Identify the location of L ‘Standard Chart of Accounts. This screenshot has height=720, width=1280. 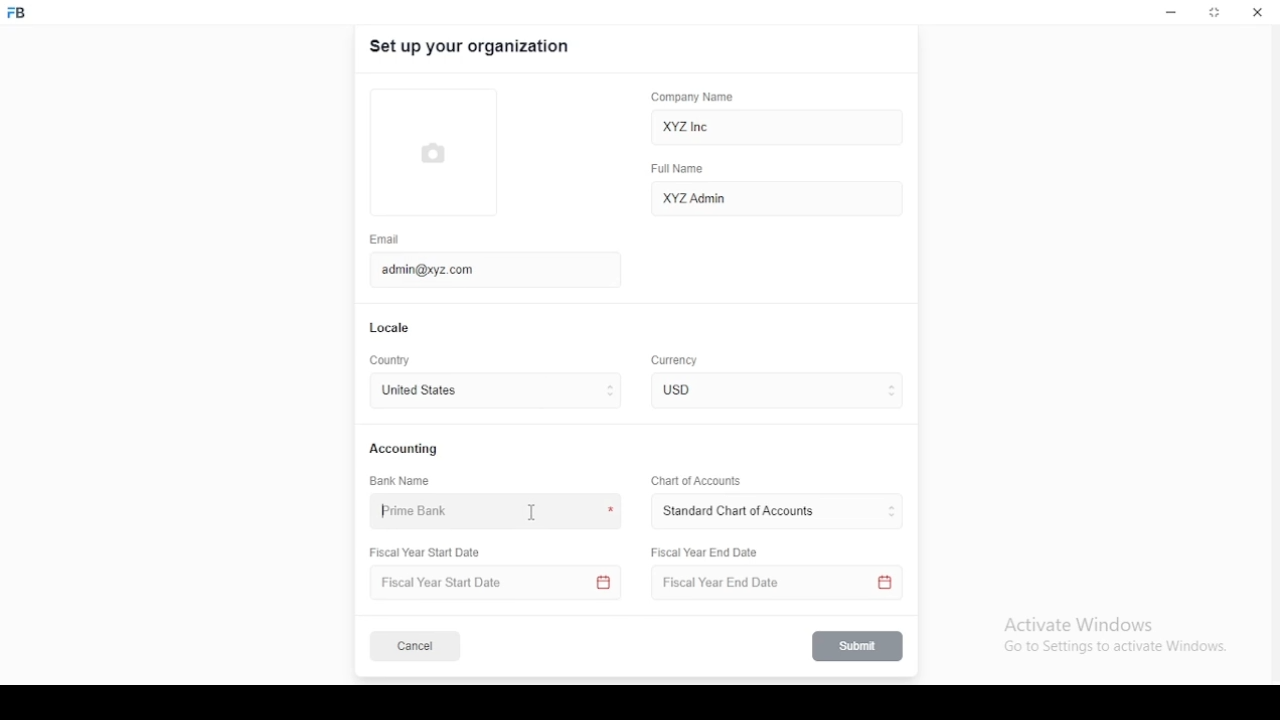
(737, 512).